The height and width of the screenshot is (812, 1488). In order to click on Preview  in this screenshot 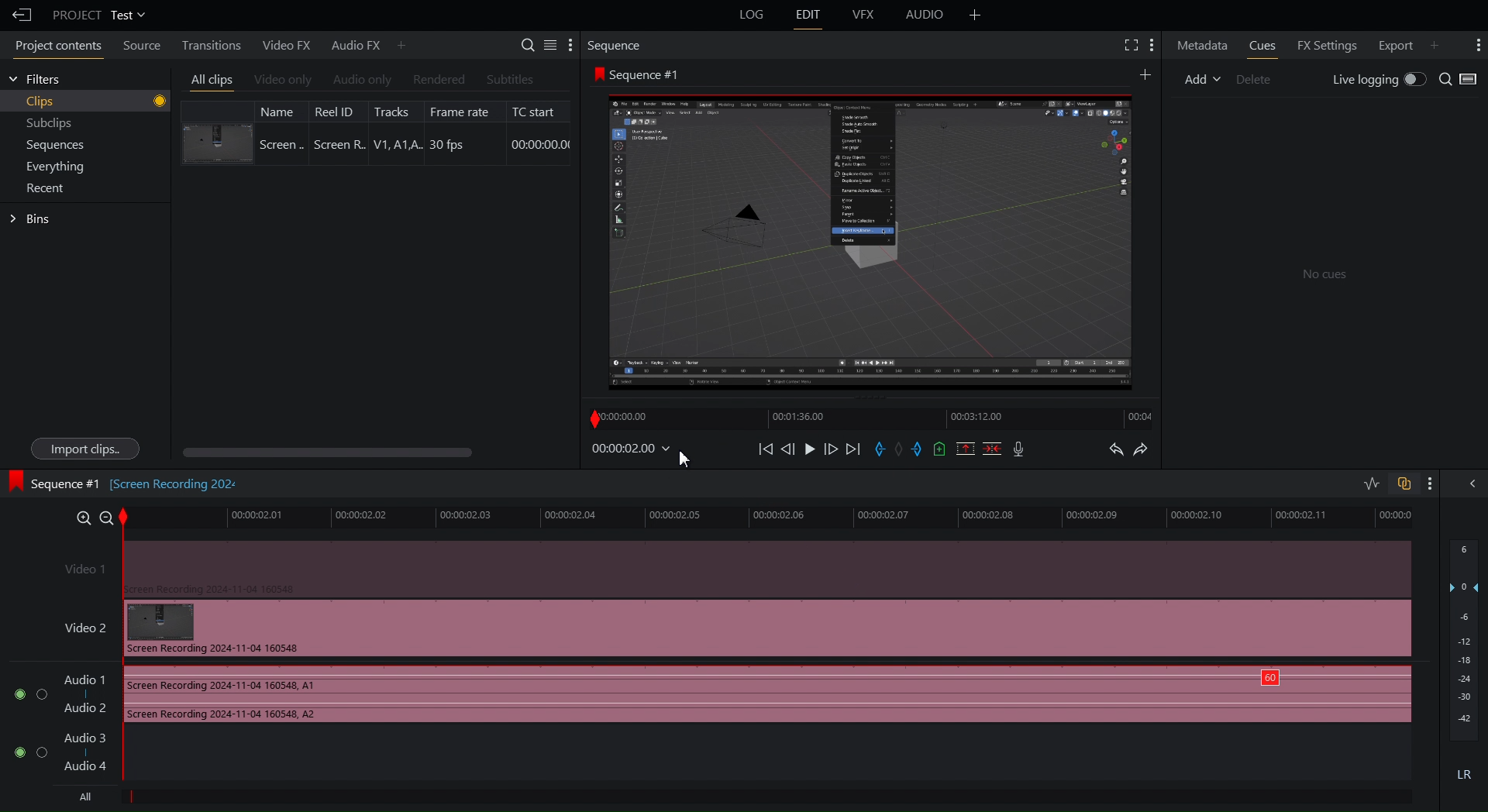, I will do `click(870, 238)`.